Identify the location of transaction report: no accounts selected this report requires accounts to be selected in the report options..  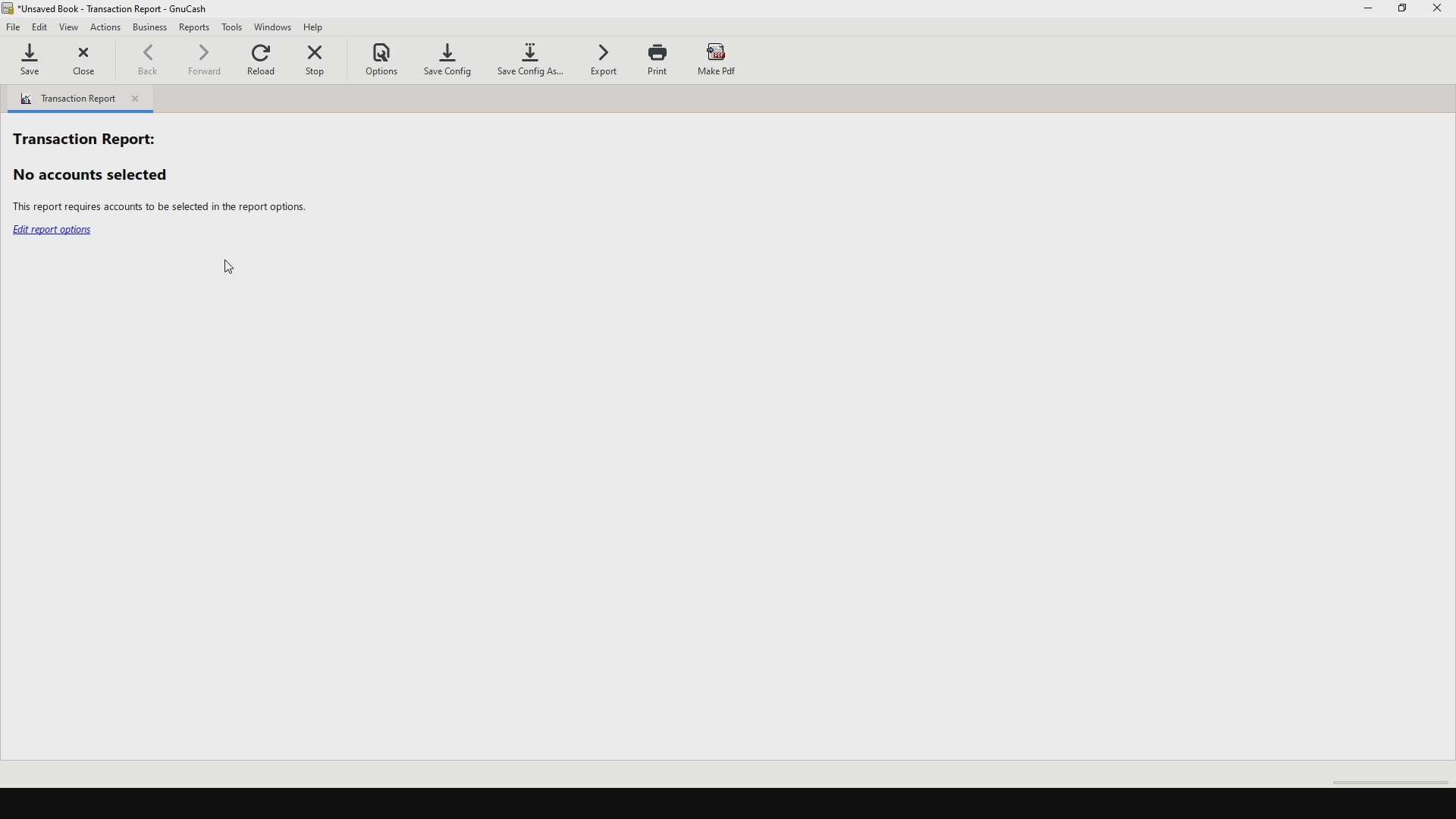
(159, 168).